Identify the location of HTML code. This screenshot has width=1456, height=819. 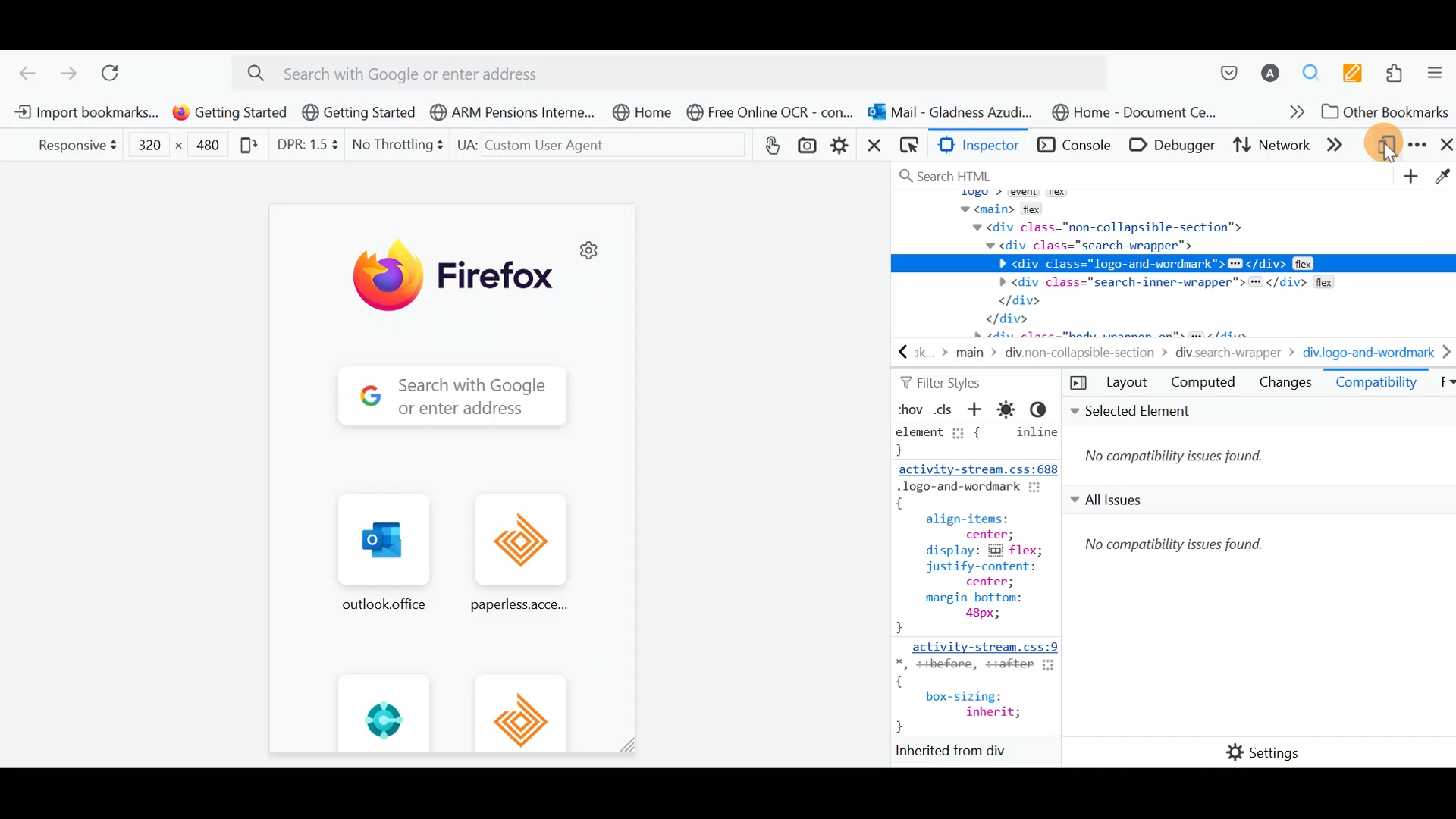
(1175, 264).